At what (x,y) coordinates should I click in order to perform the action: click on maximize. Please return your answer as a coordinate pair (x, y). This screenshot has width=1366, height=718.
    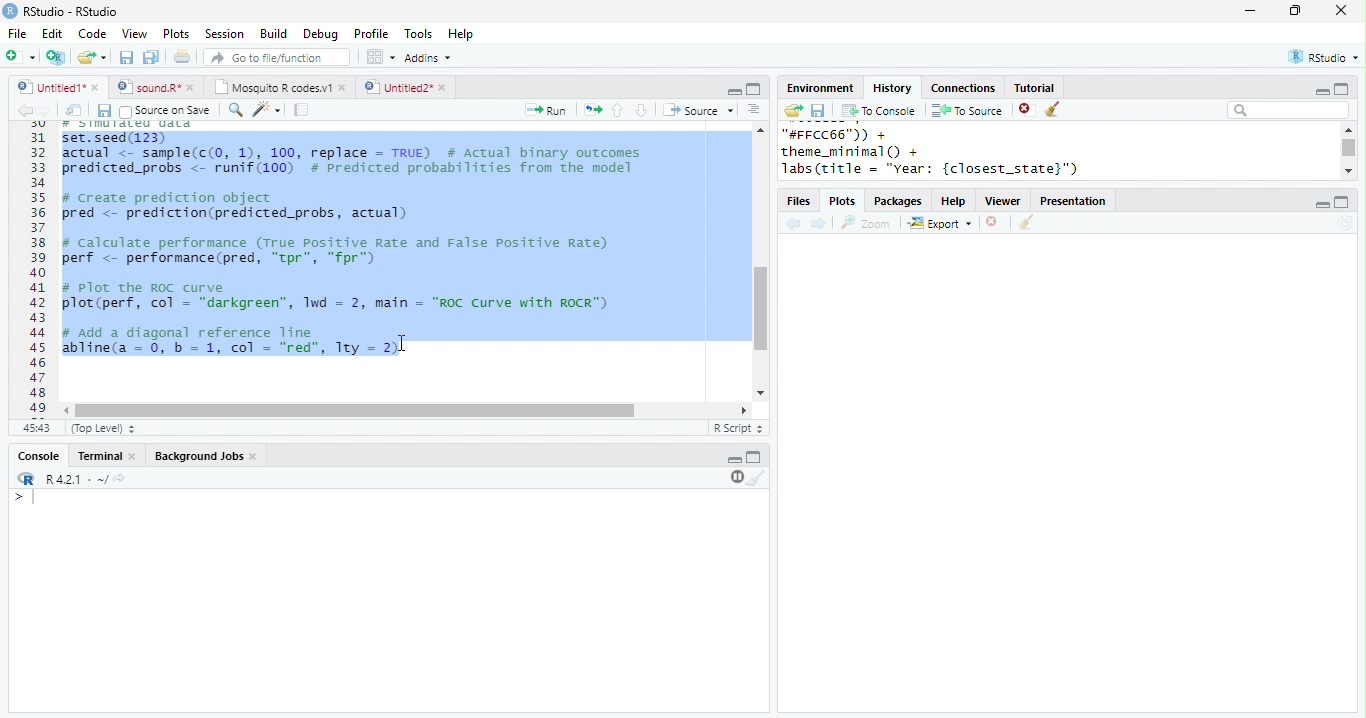
    Looking at the image, I should click on (754, 456).